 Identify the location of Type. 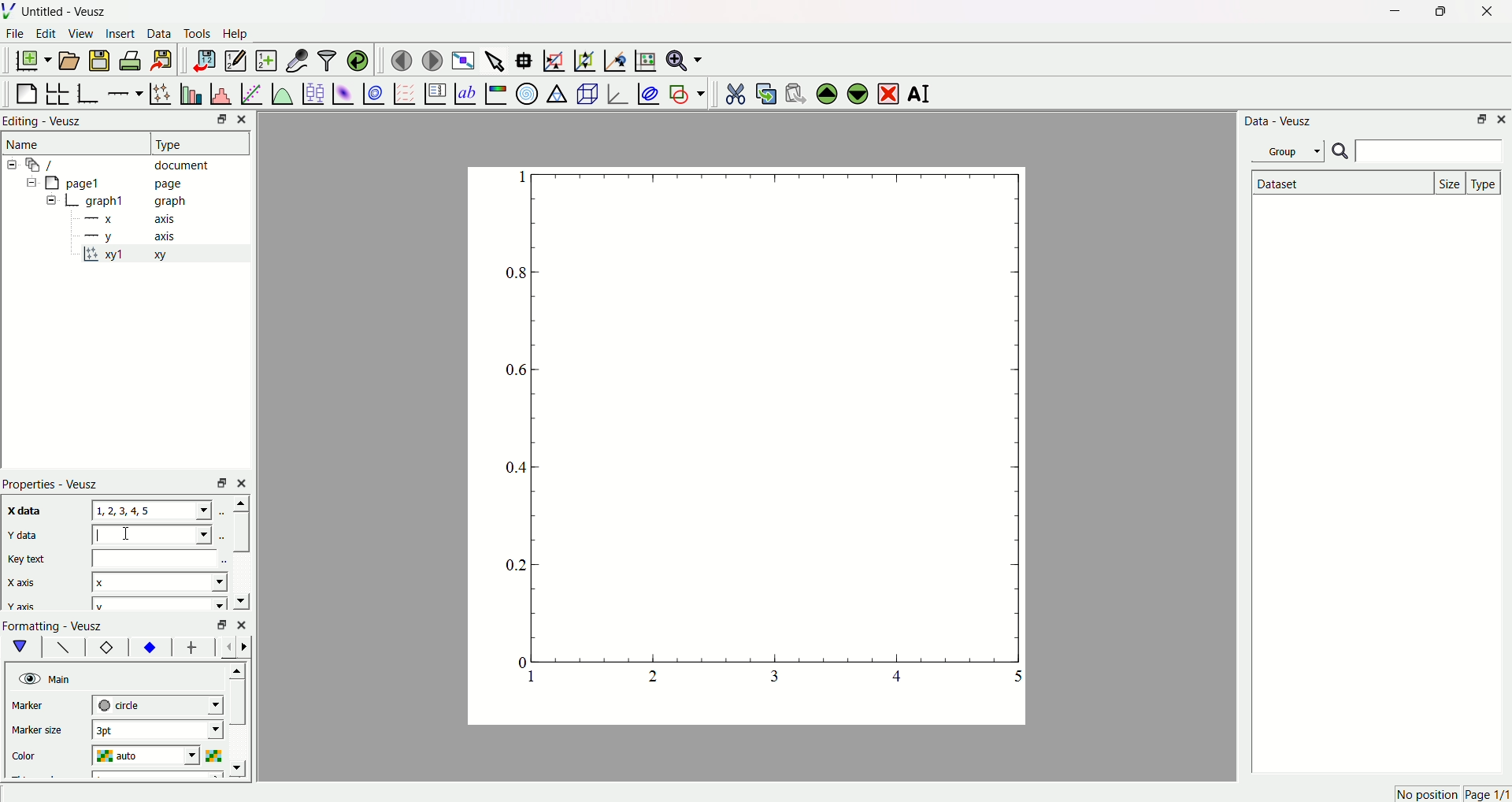
(193, 143).